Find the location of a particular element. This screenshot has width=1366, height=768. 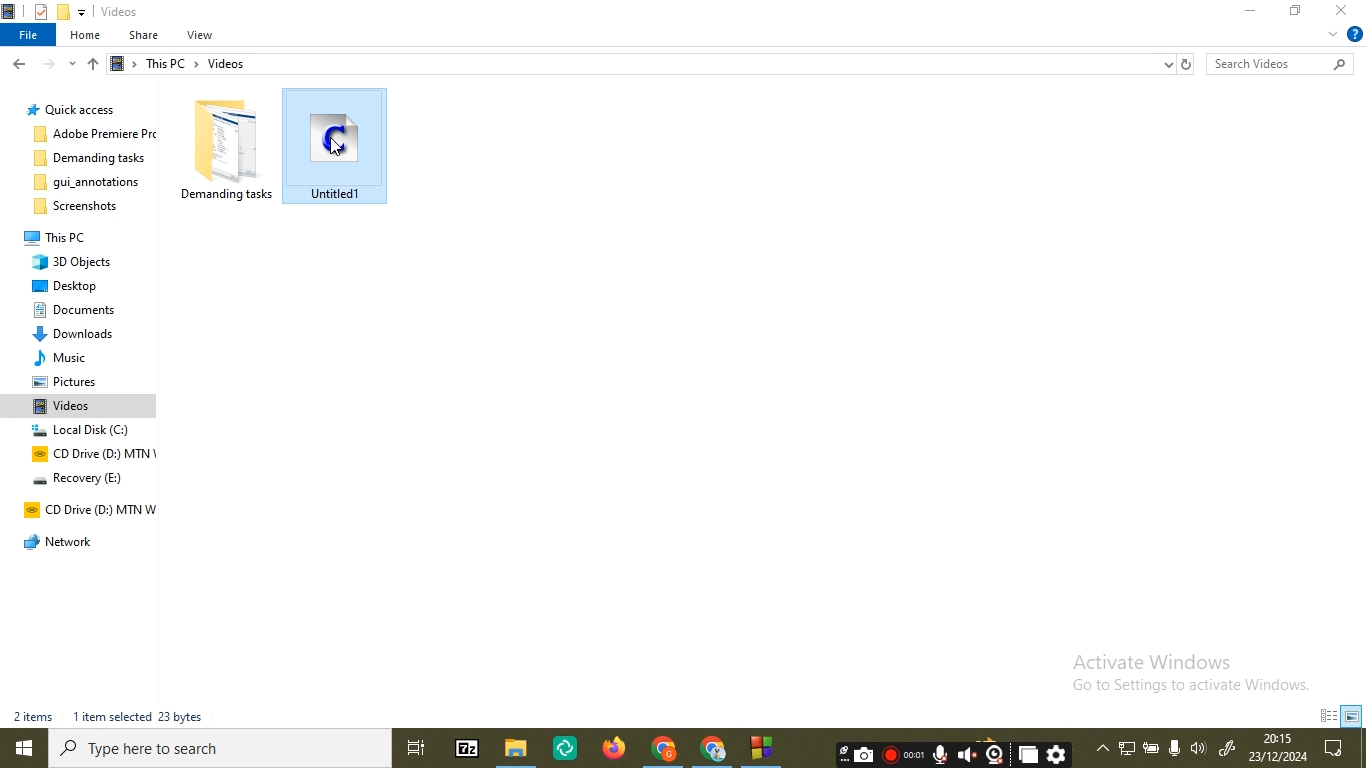

search bar is located at coordinates (221, 747).